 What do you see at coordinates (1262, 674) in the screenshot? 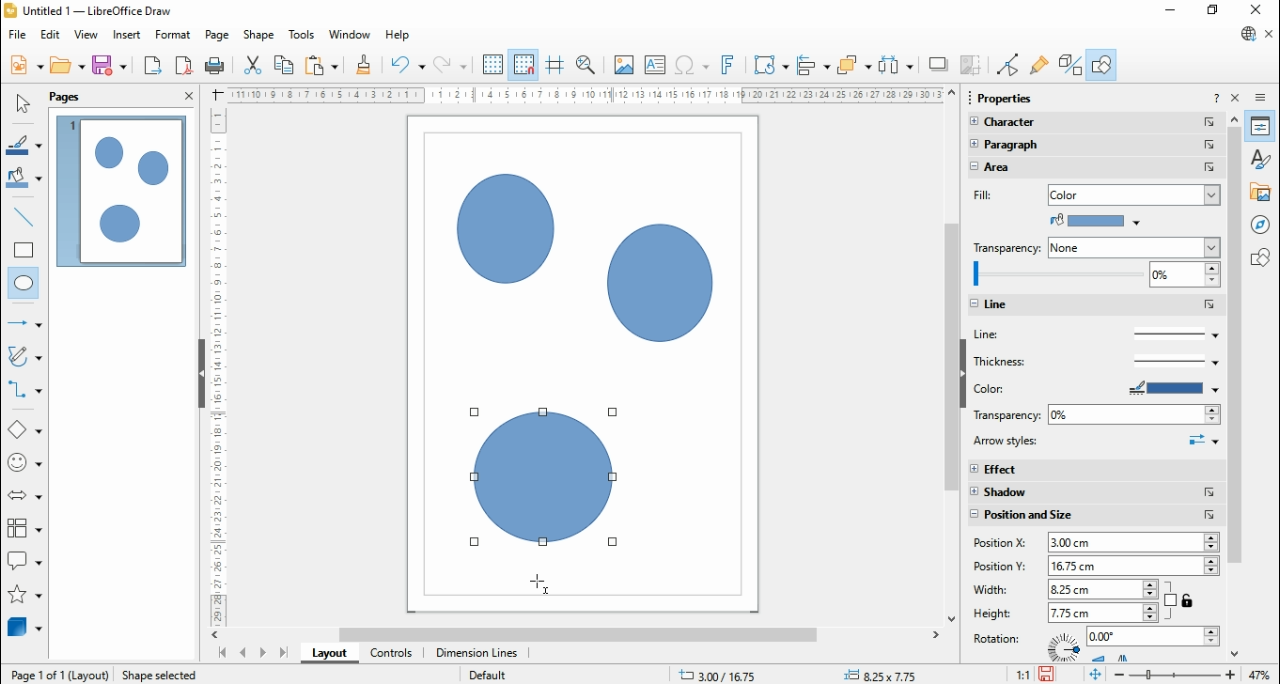
I see `47%` at bounding box center [1262, 674].